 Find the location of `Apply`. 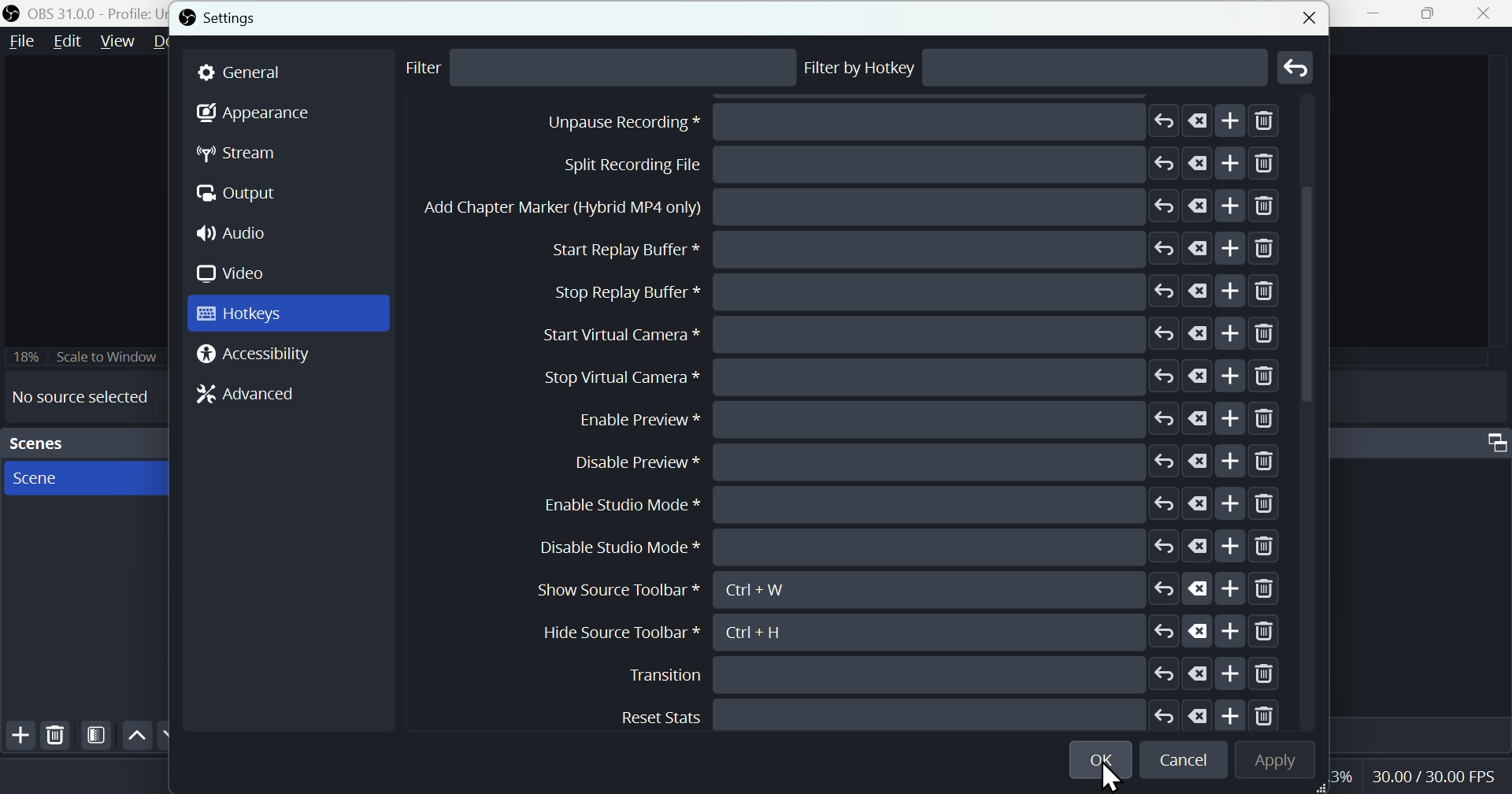

Apply is located at coordinates (1272, 761).